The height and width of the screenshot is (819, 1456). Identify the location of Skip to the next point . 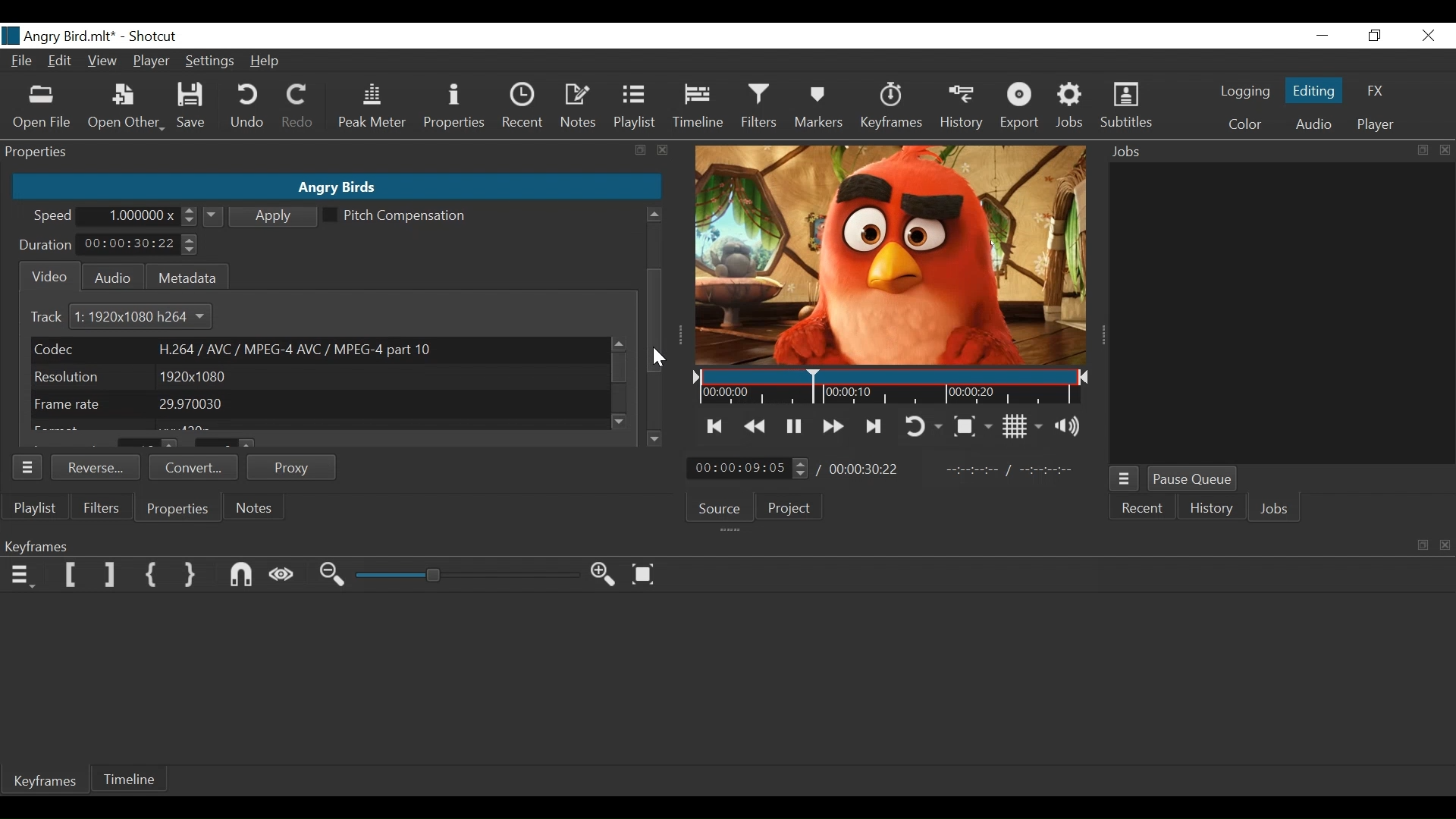
(875, 426).